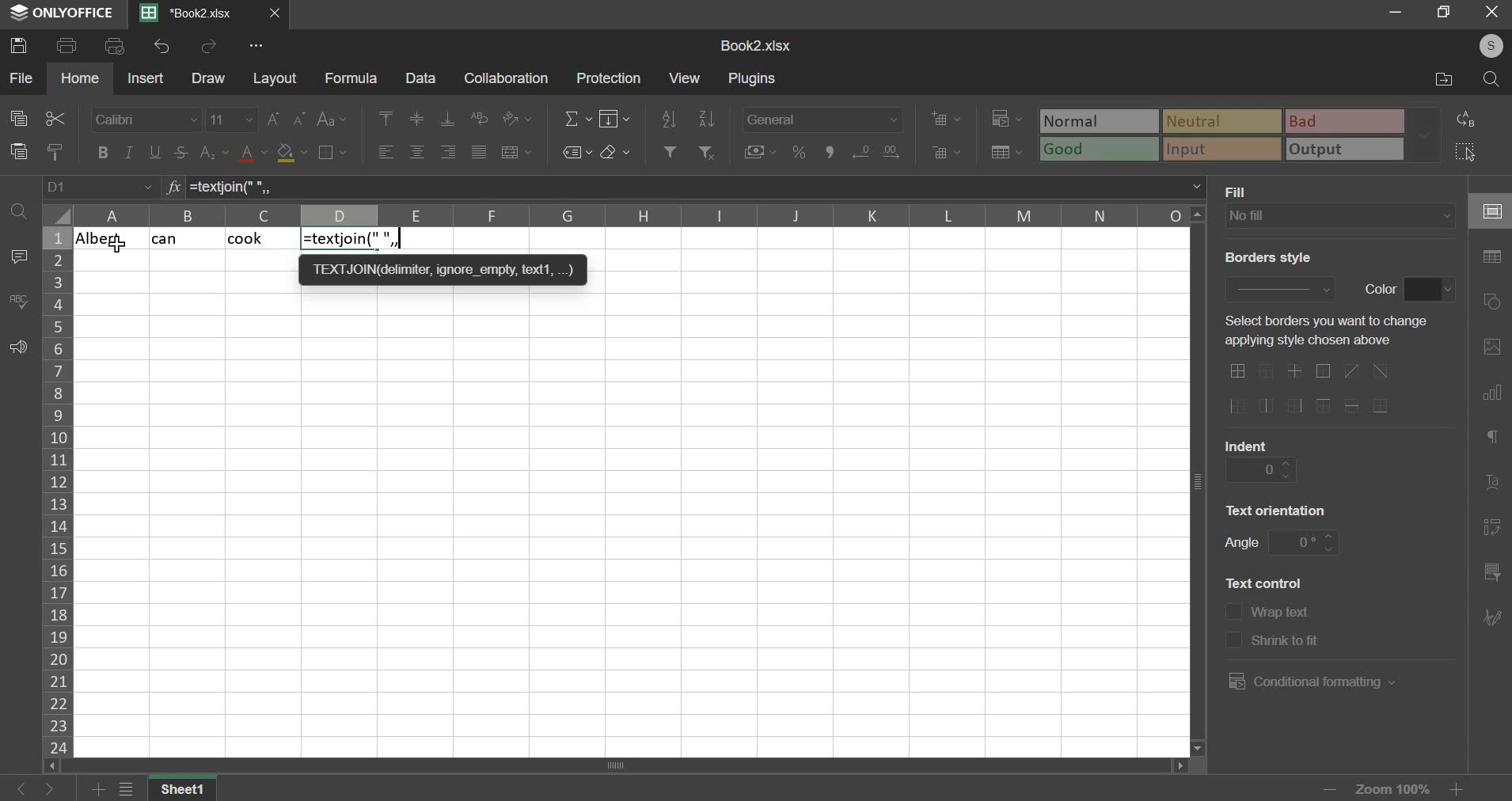 Image resolution: width=1512 pixels, height=801 pixels. Describe the element at coordinates (145, 120) in the screenshot. I see `font` at that location.